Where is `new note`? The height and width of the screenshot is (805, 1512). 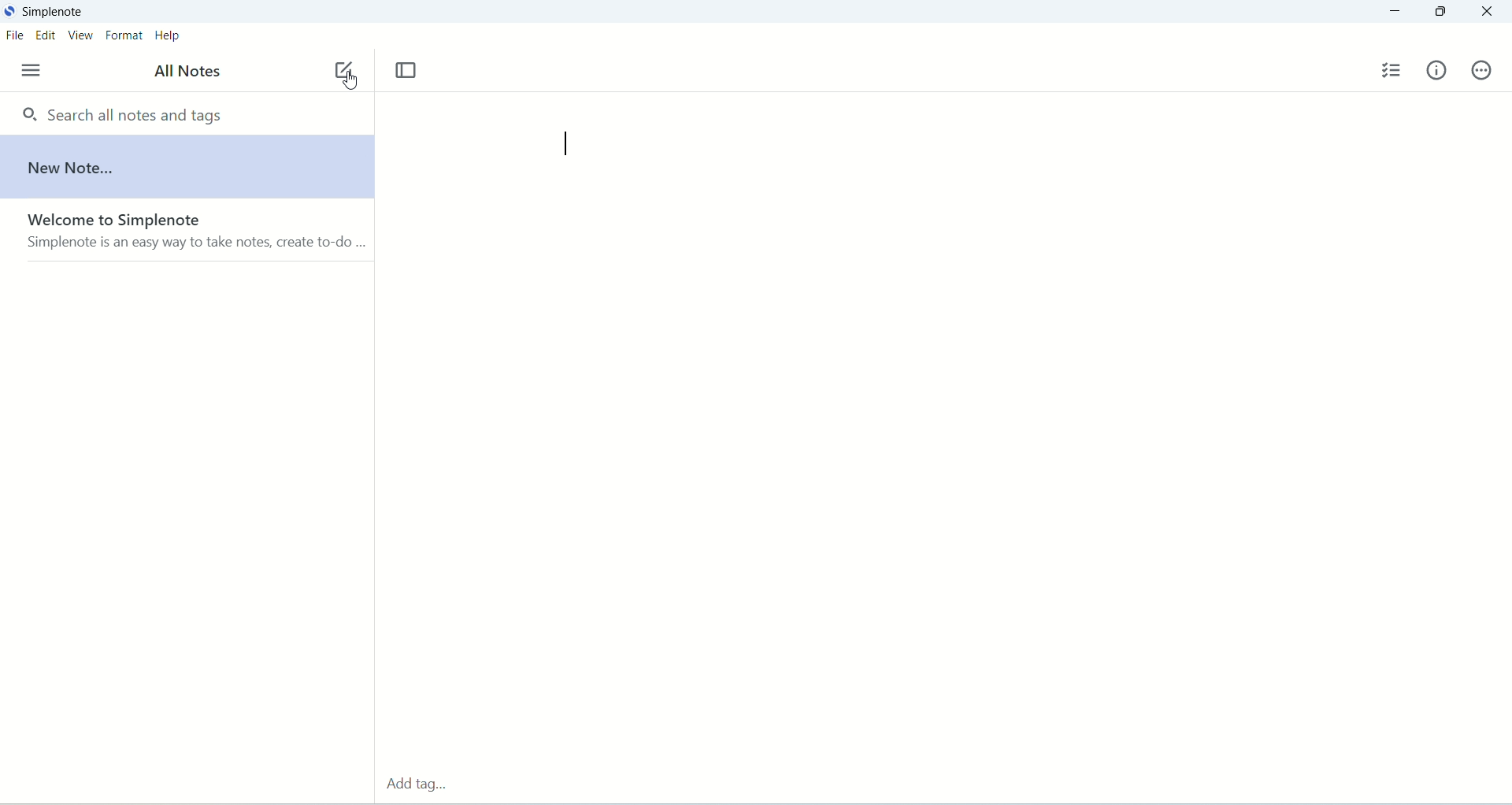 new note is located at coordinates (341, 66).